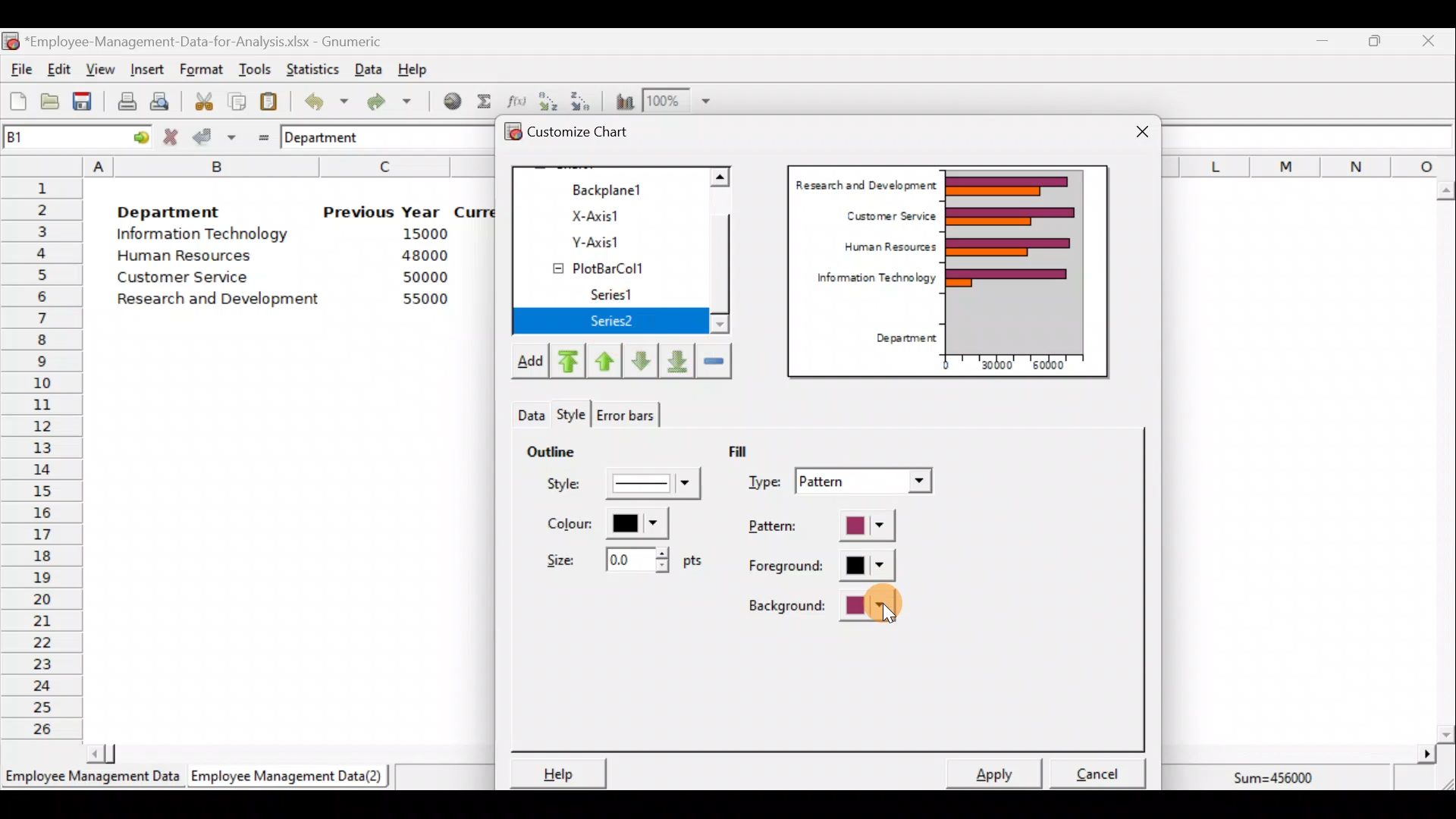  I want to click on Employee Management Data (2), so click(290, 777).